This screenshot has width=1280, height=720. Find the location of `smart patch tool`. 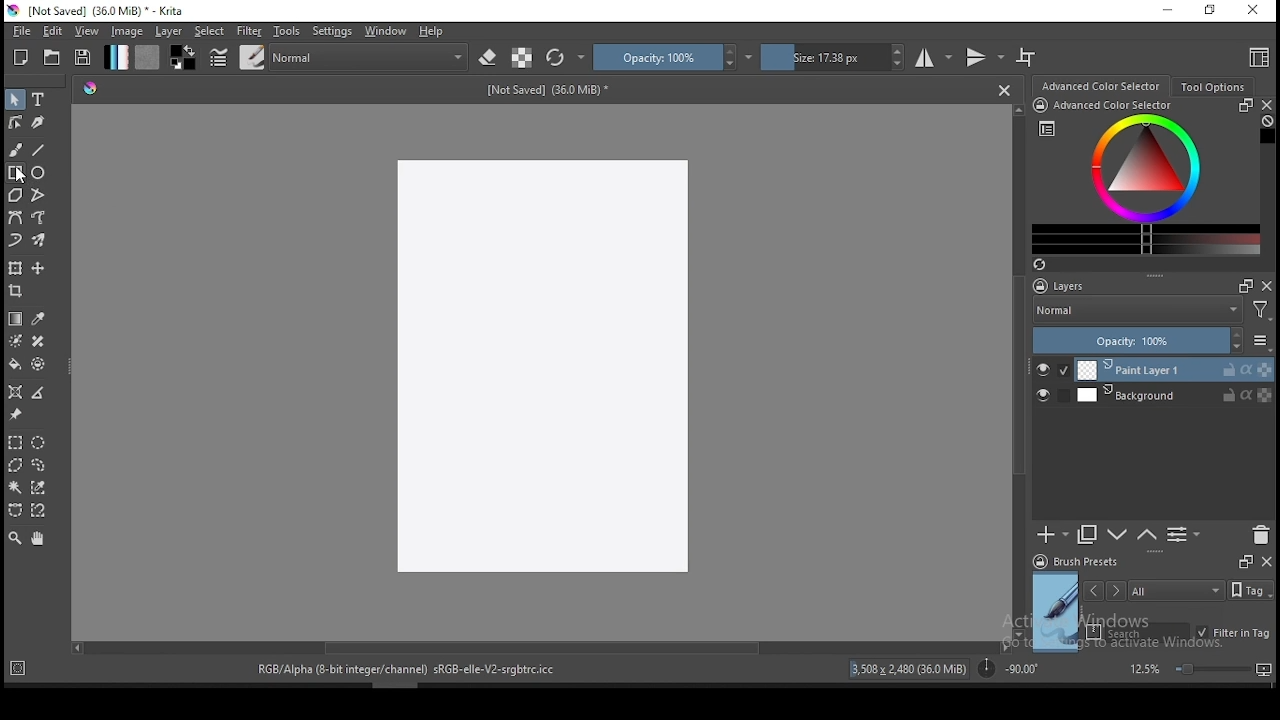

smart patch tool is located at coordinates (38, 341).